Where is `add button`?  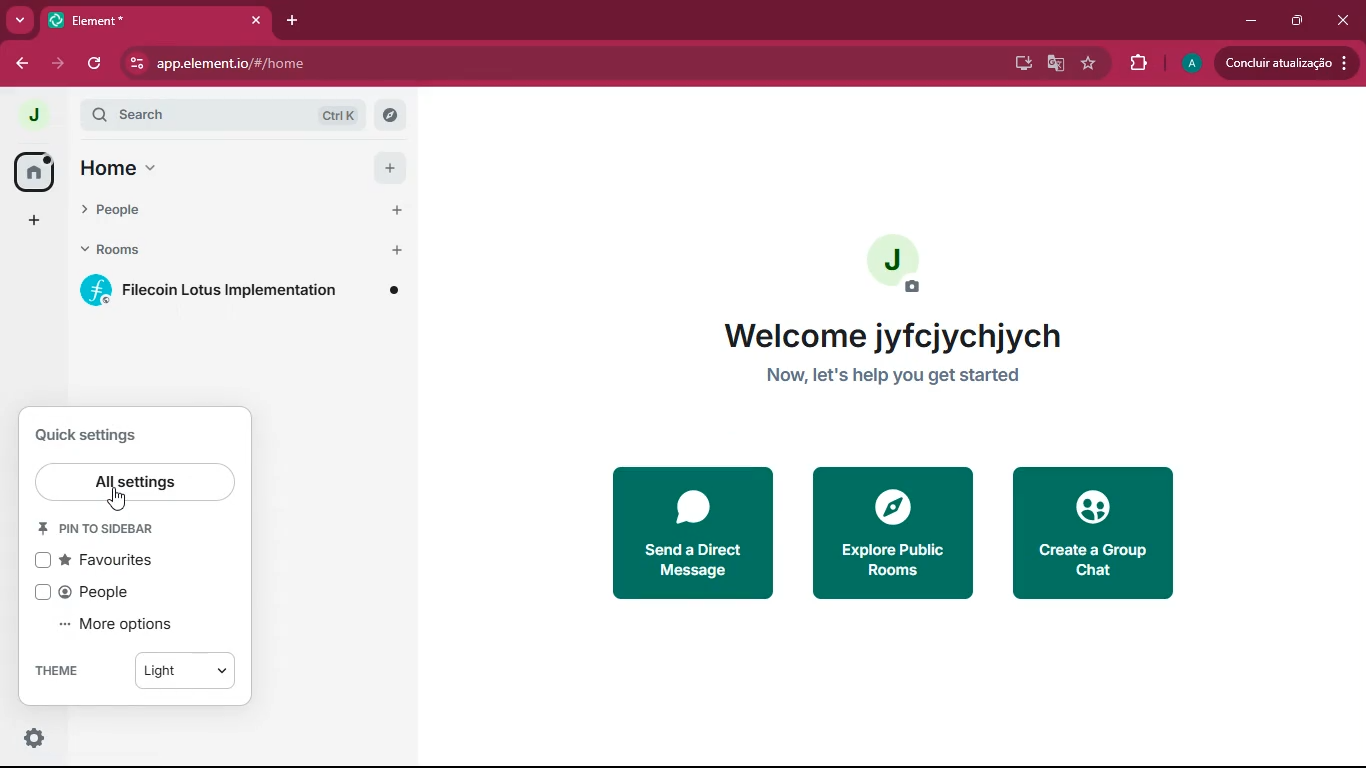 add button is located at coordinates (391, 211).